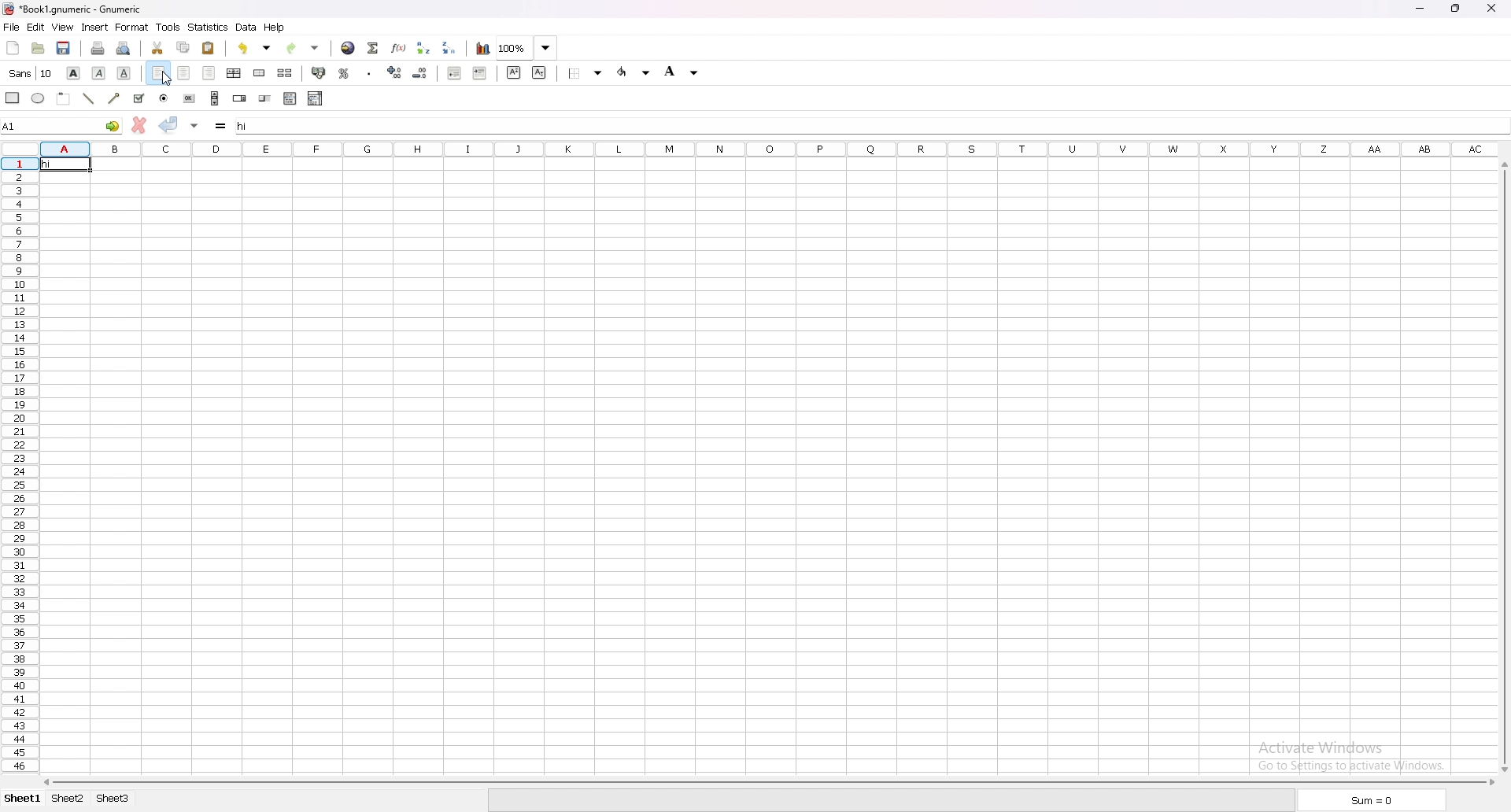 This screenshot has width=1511, height=812. What do you see at coordinates (285, 74) in the screenshot?
I see `split merged cells` at bounding box center [285, 74].